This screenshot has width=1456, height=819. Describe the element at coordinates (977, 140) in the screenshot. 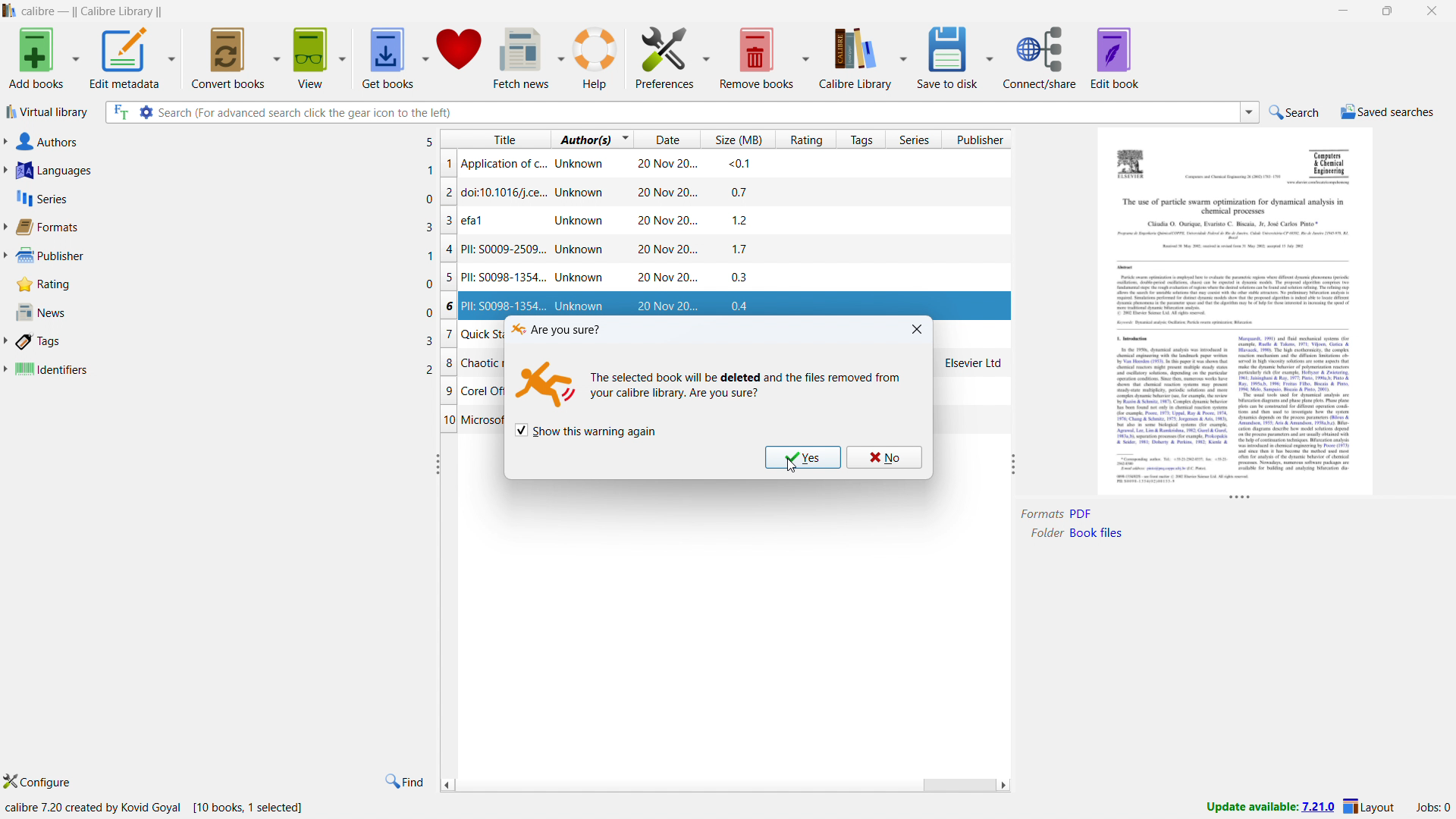

I see `sort by publisher` at that location.